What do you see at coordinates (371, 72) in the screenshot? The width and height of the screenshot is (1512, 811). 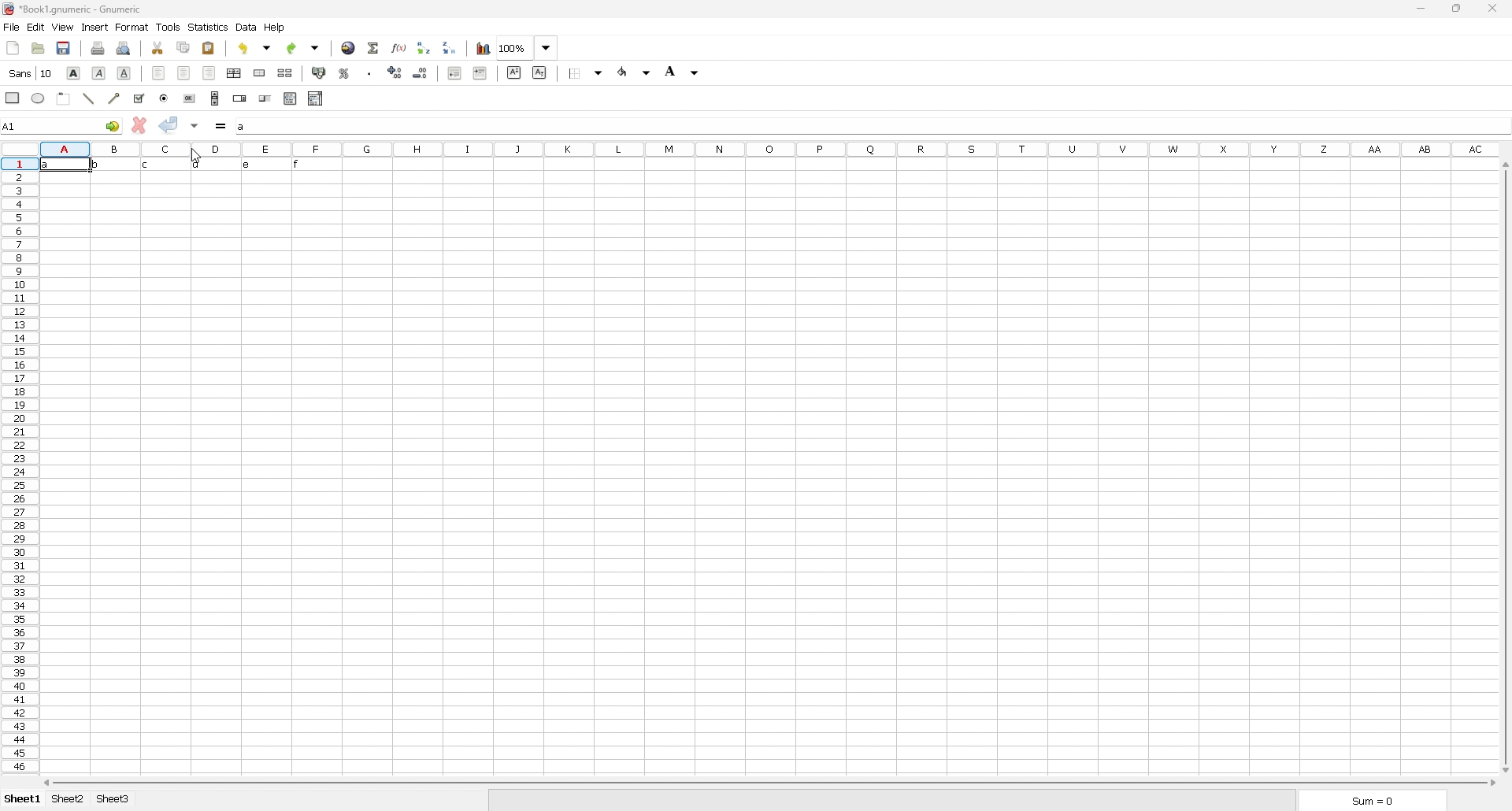 I see `thousands separator` at bounding box center [371, 72].